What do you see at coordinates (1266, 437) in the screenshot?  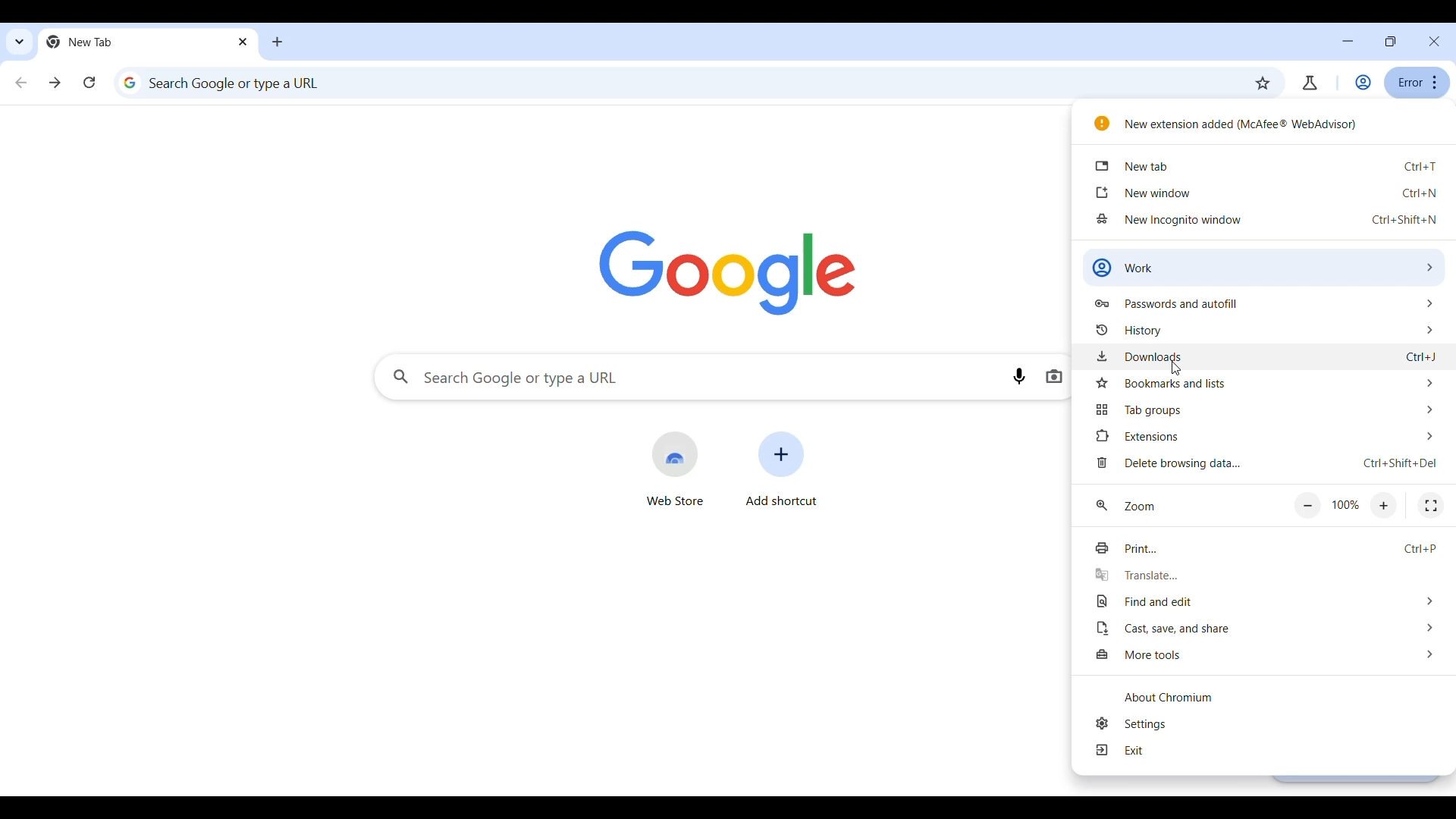 I see `Extensions` at bounding box center [1266, 437].